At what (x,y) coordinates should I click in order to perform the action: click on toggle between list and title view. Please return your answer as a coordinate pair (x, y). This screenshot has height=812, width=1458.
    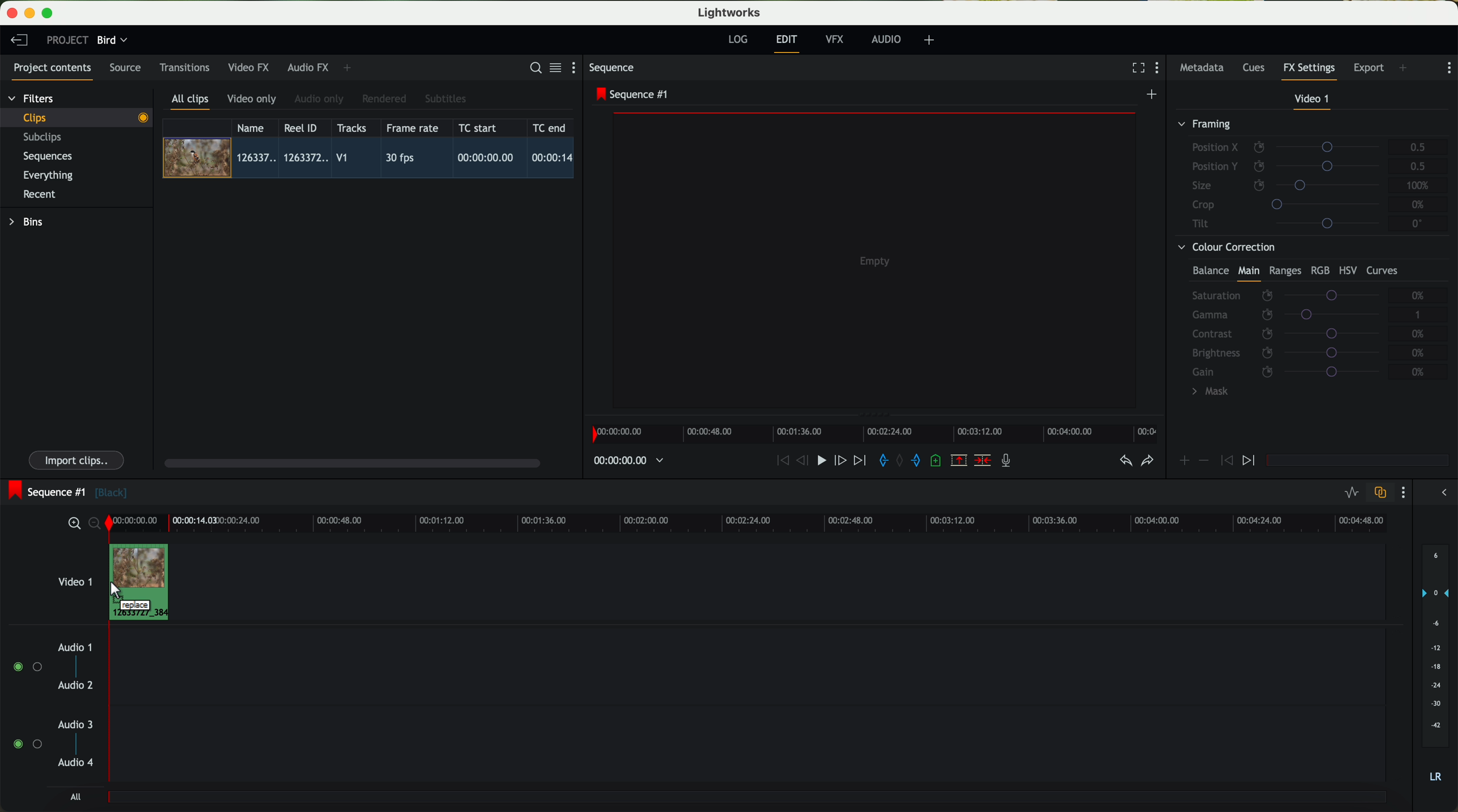
    Looking at the image, I should click on (554, 67).